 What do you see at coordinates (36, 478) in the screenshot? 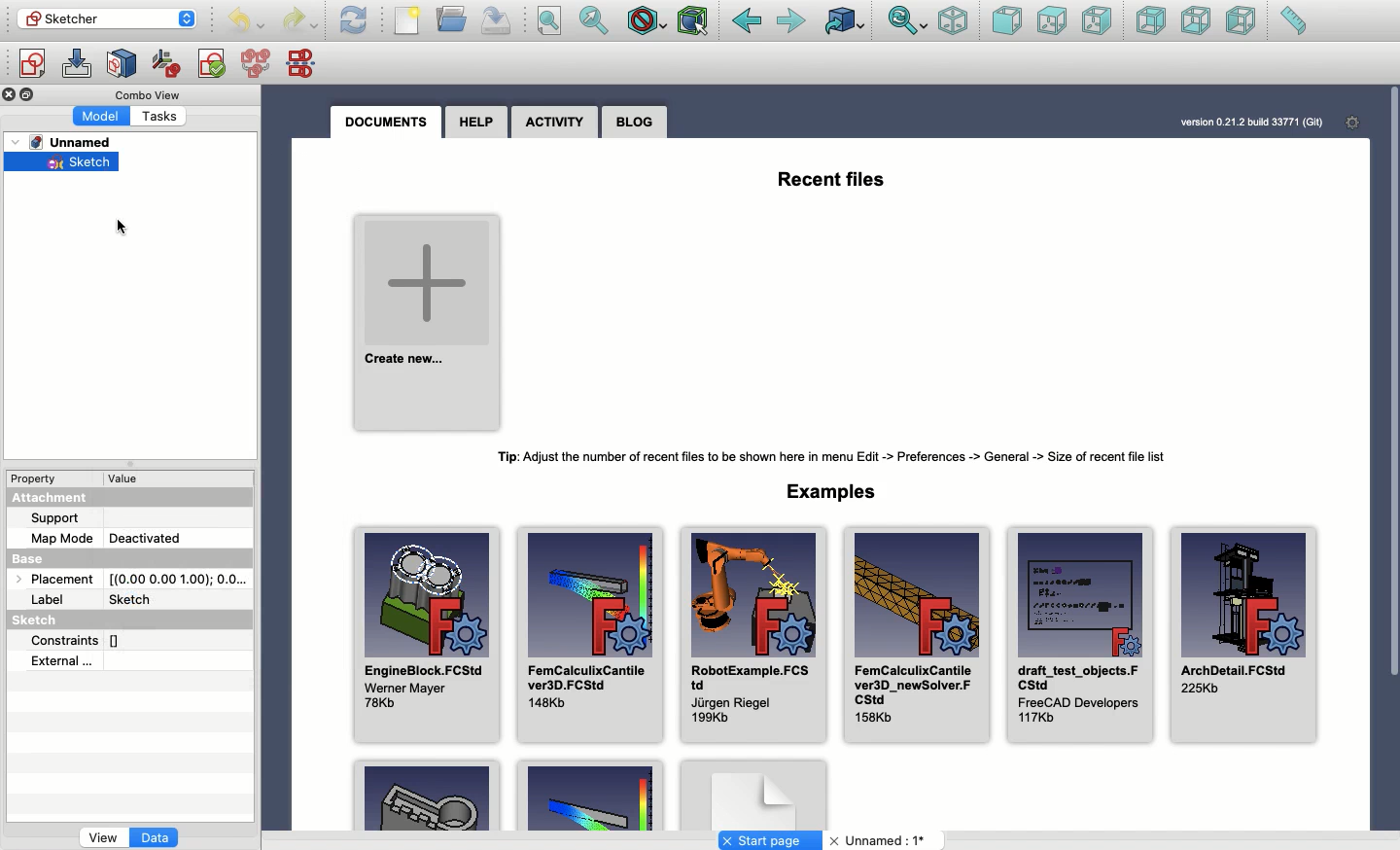
I see `Property` at bounding box center [36, 478].